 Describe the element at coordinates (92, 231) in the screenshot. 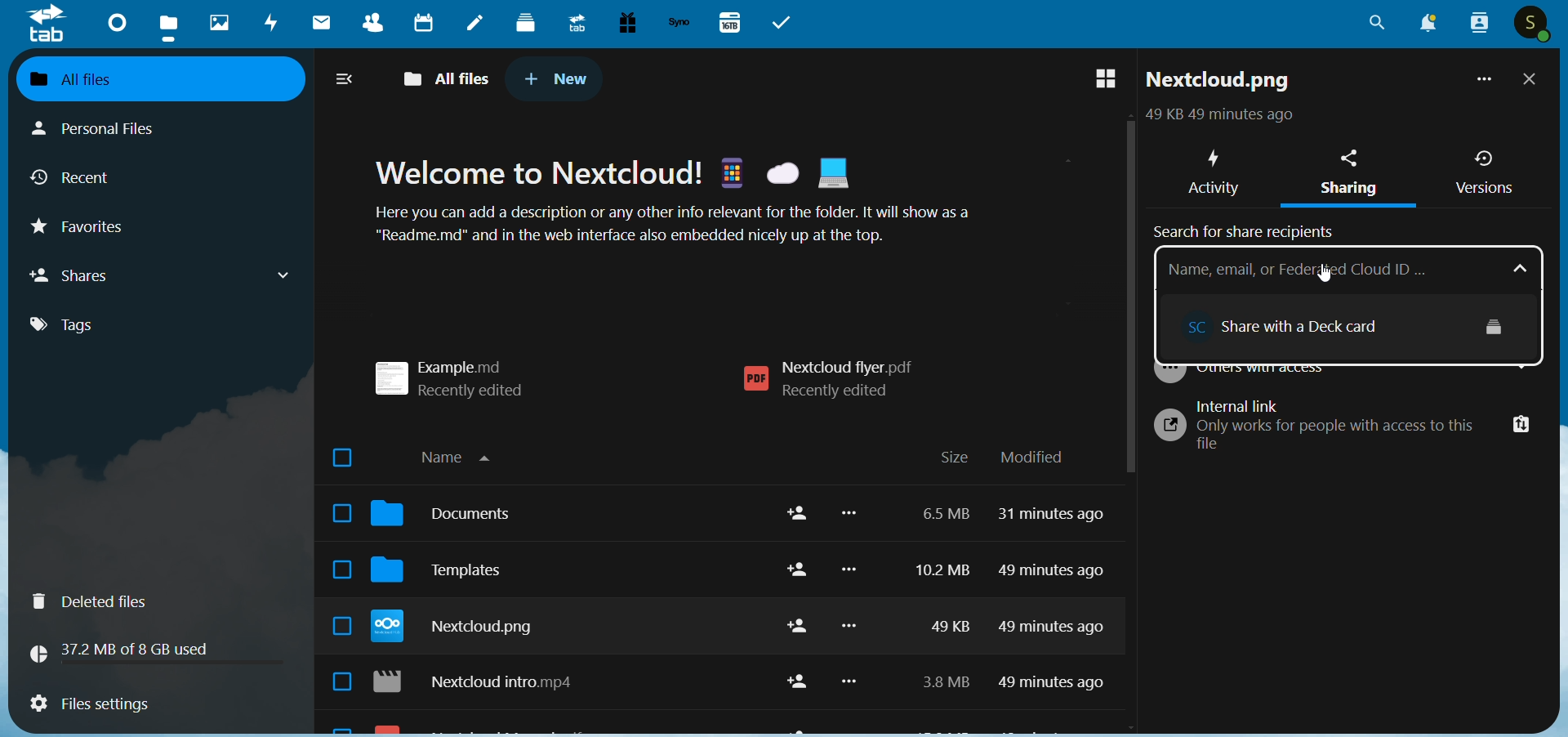

I see `favorites` at that location.